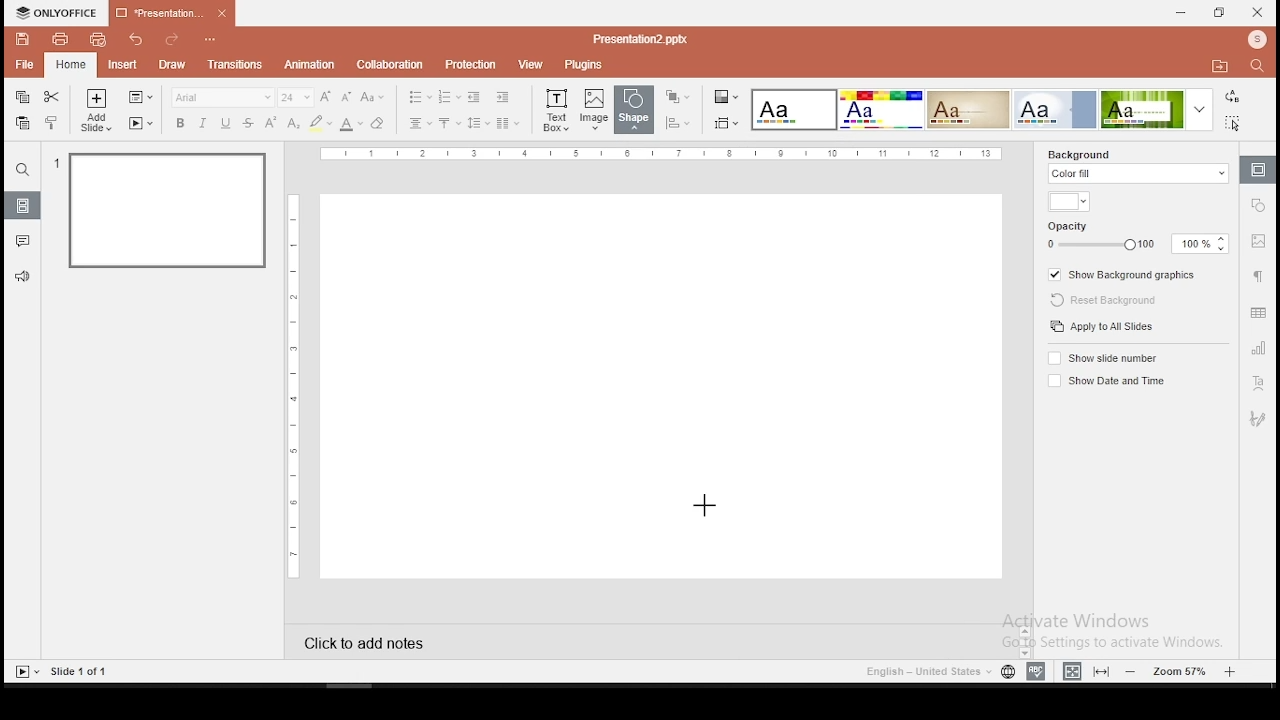 The width and height of the screenshot is (1280, 720). I want to click on slide 1 of 1, so click(81, 671).